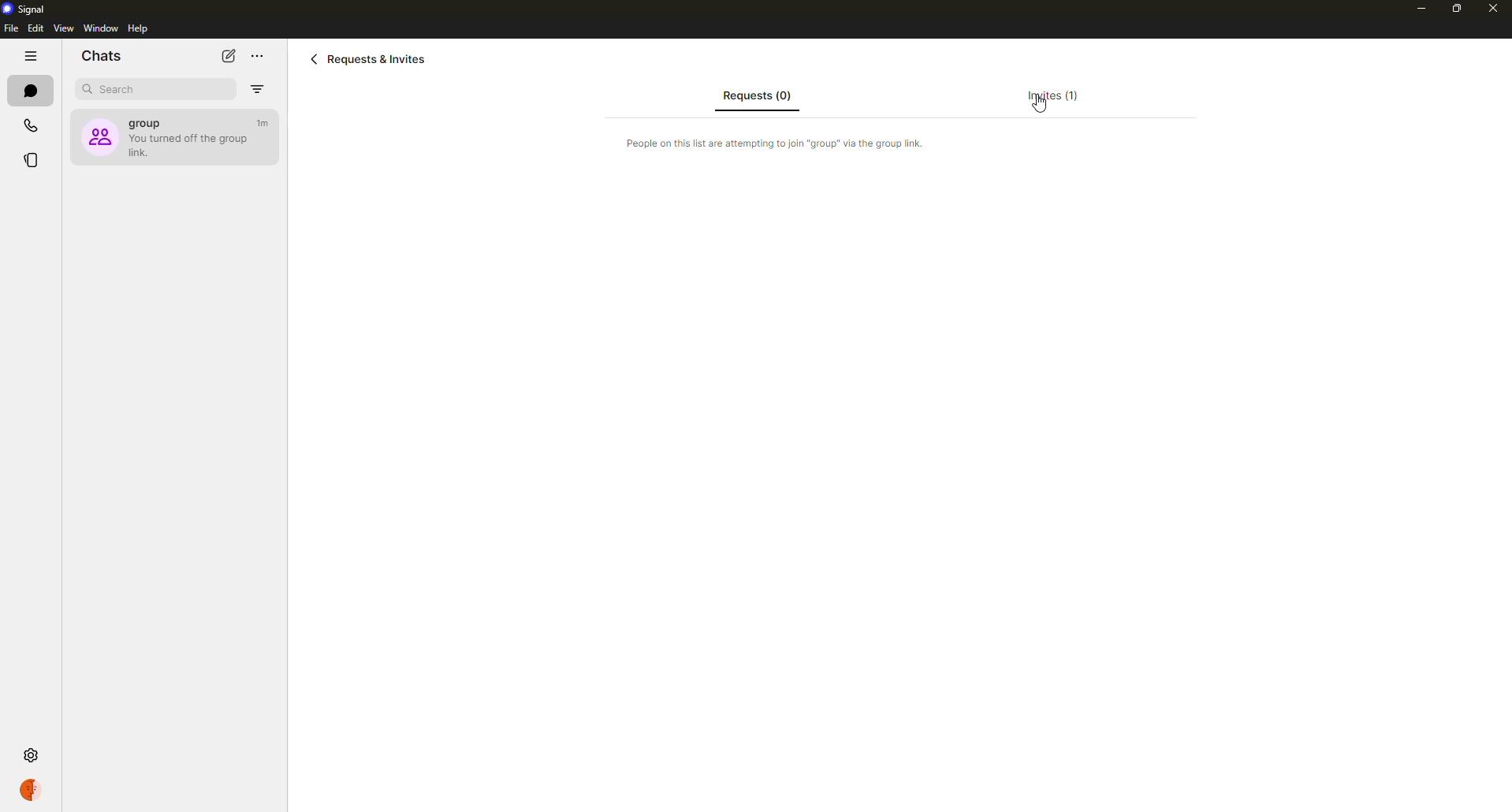 The width and height of the screenshot is (1512, 812). I want to click on requests & invites, so click(372, 58).